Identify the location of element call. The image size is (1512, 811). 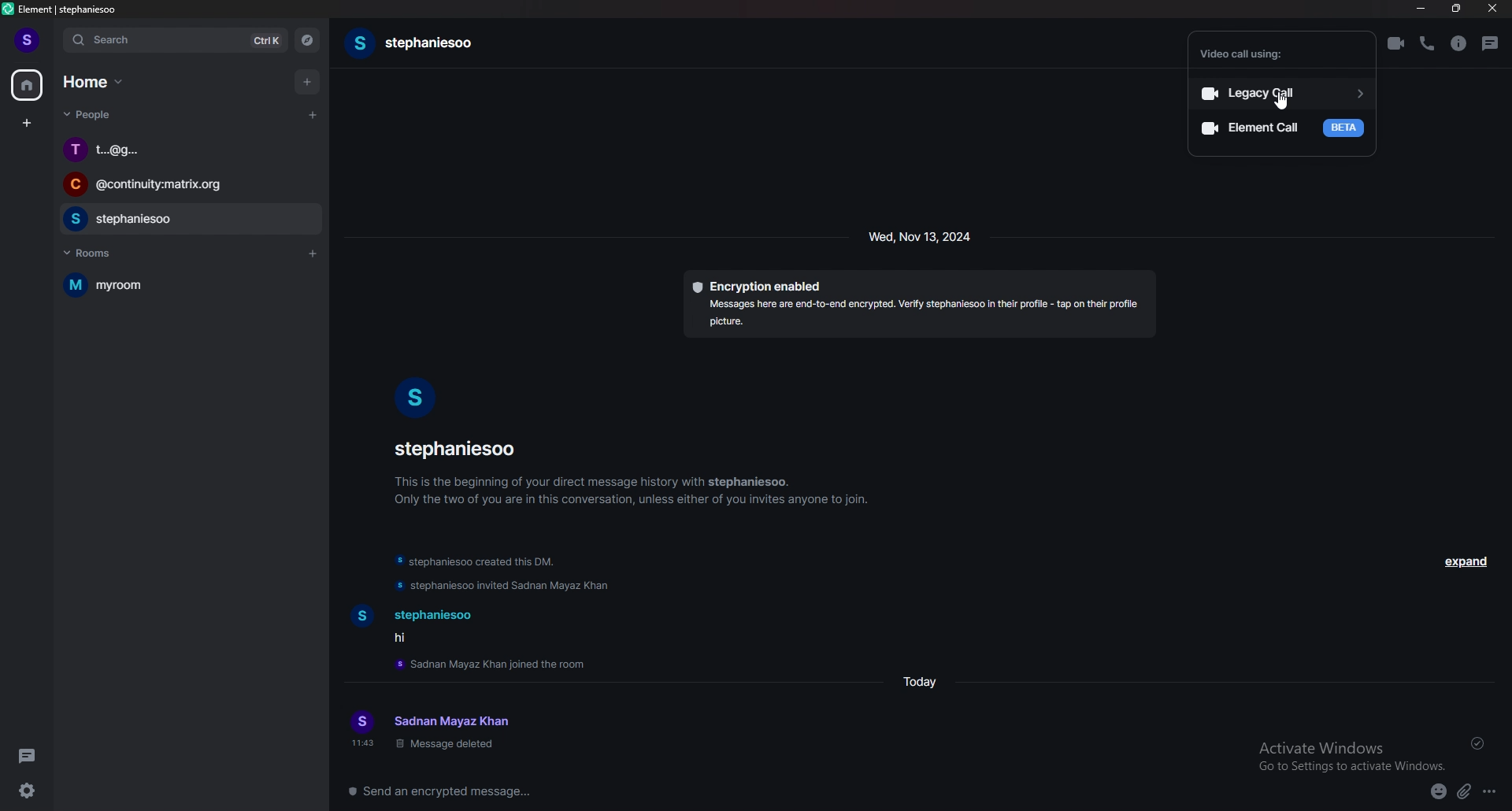
(1281, 127).